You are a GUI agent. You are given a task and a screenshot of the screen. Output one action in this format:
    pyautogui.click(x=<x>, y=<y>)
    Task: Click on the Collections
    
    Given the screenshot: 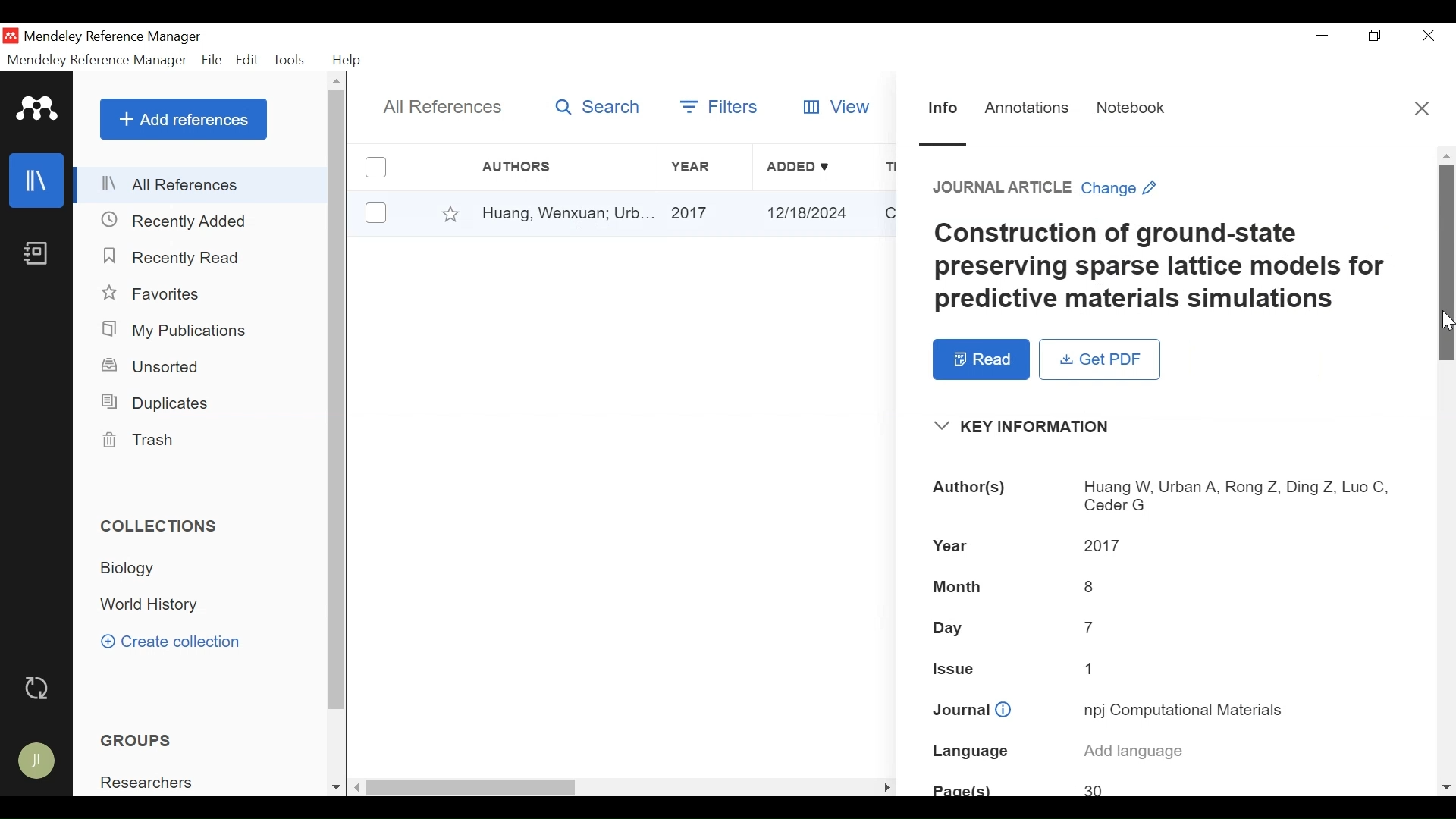 What is the action you would take?
    pyautogui.click(x=166, y=526)
    